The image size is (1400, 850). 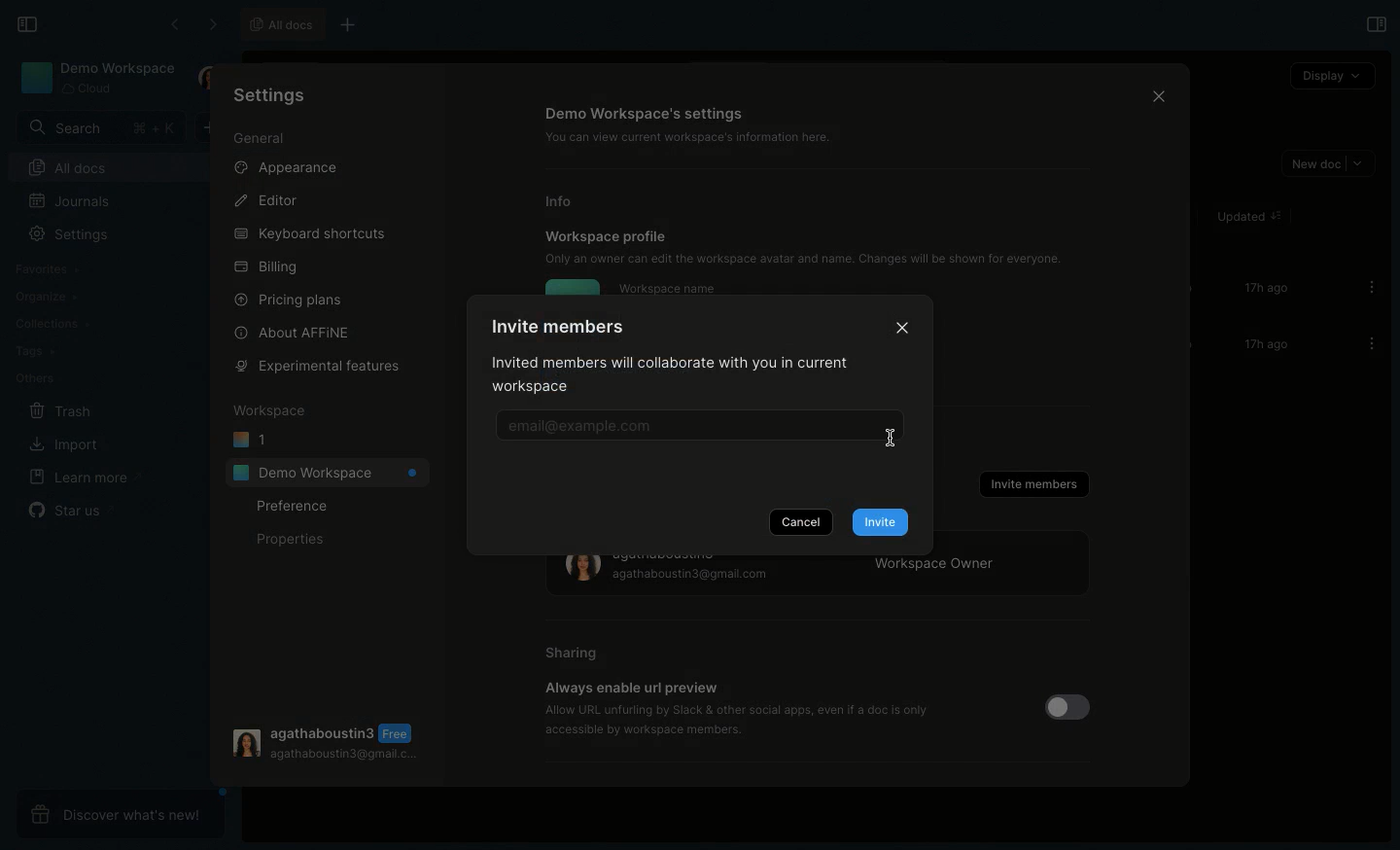 What do you see at coordinates (69, 200) in the screenshot?
I see `Journals` at bounding box center [69, 200].